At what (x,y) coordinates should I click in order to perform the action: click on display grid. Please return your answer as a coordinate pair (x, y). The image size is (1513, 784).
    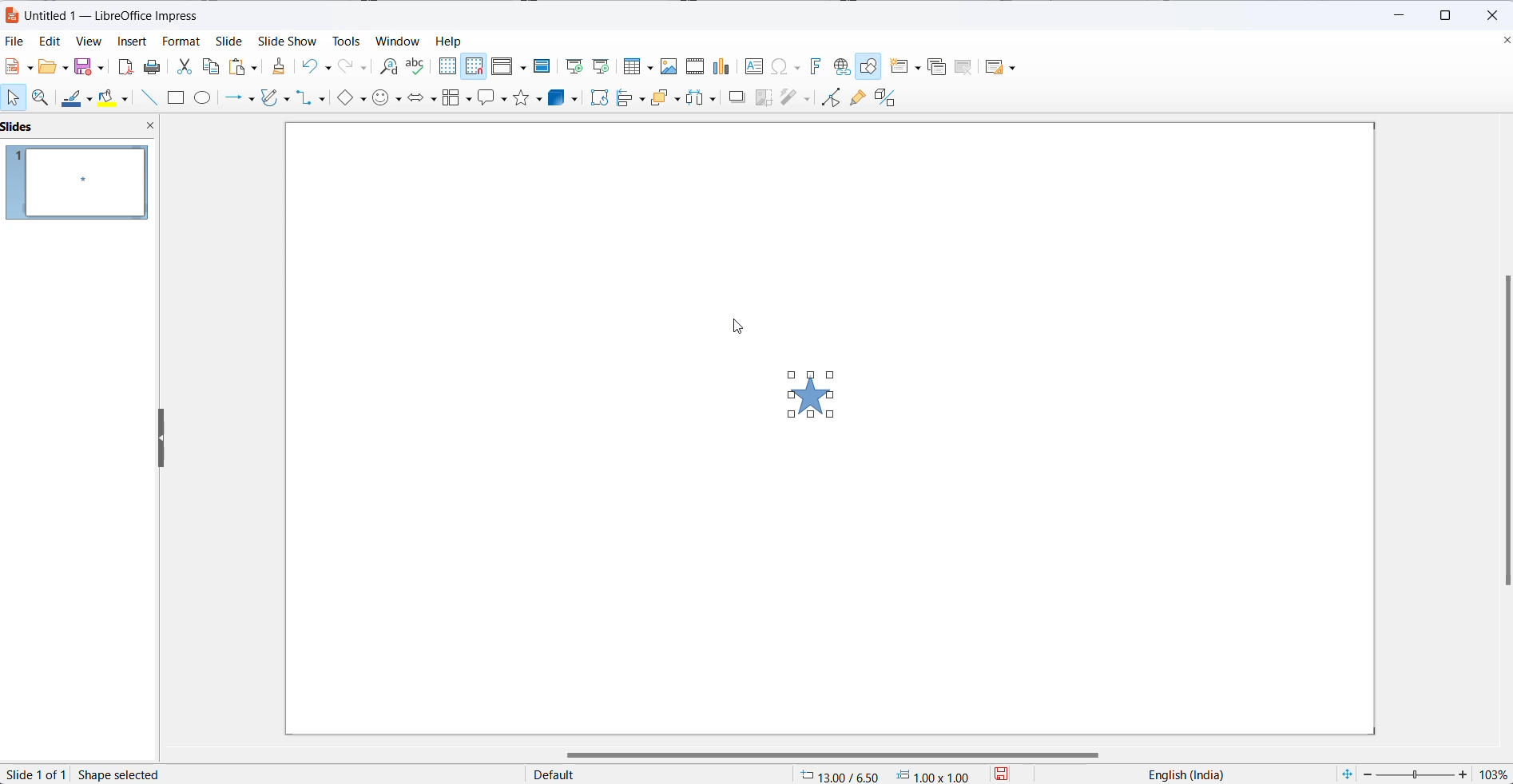
    Looking at the image, I should click on (447, 66).